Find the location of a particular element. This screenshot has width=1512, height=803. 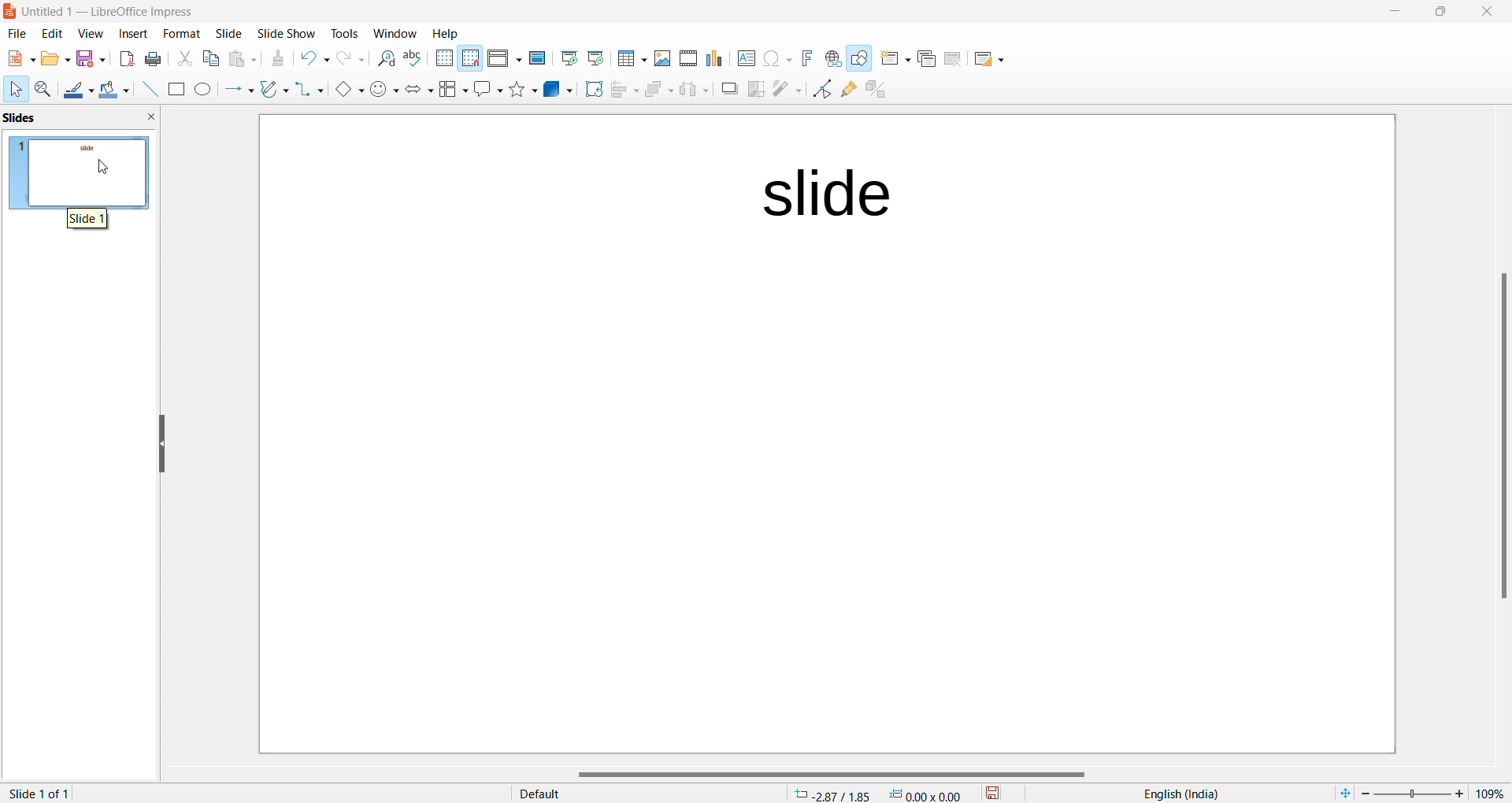

fit to current window is located at coordinates (1341, 793).